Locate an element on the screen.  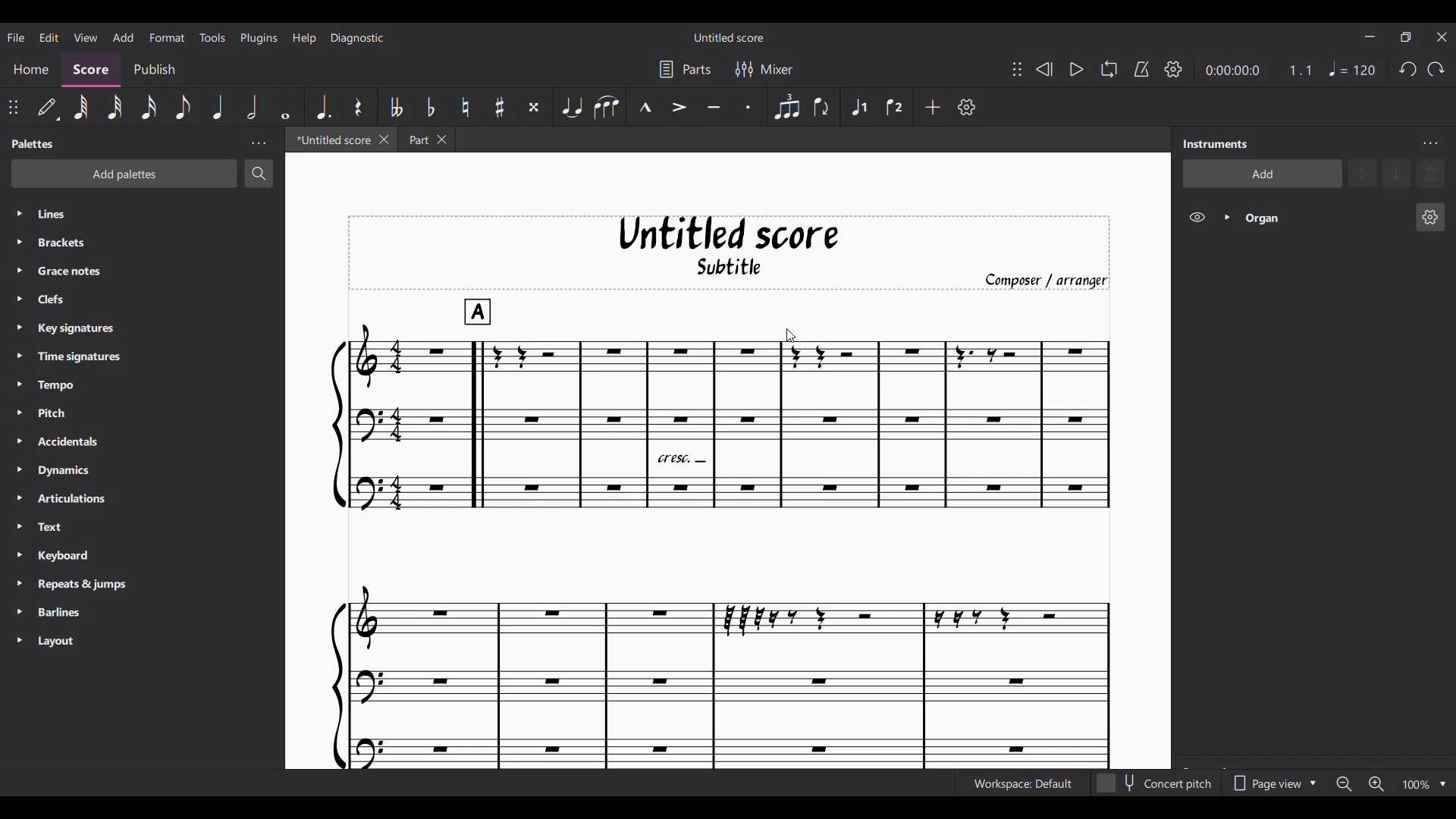
Accent is located at coordinates (679, 108).